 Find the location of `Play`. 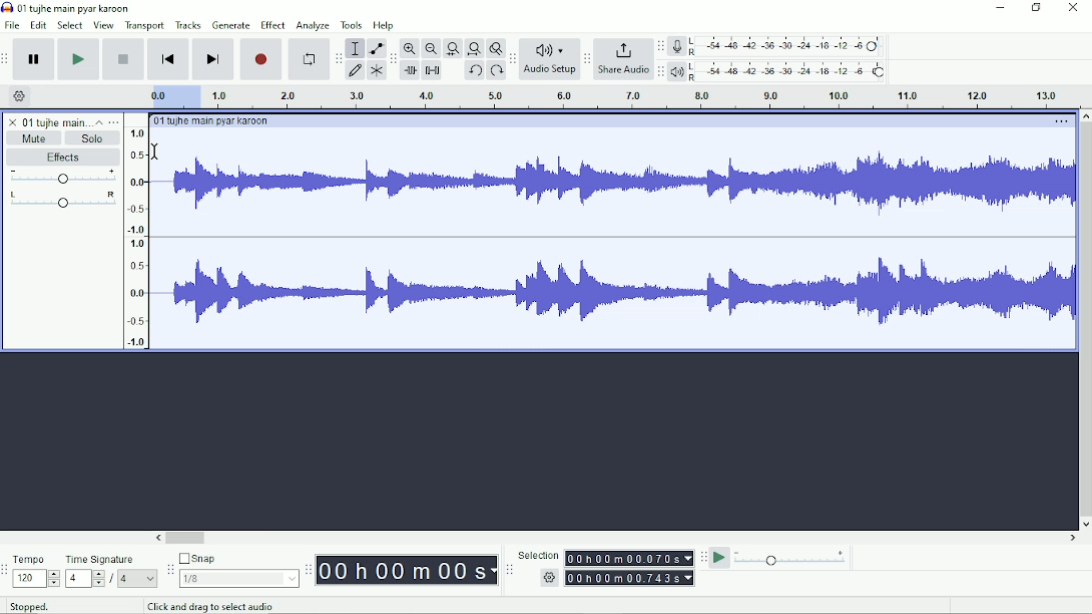

Play is located at coordinates (78, 59).